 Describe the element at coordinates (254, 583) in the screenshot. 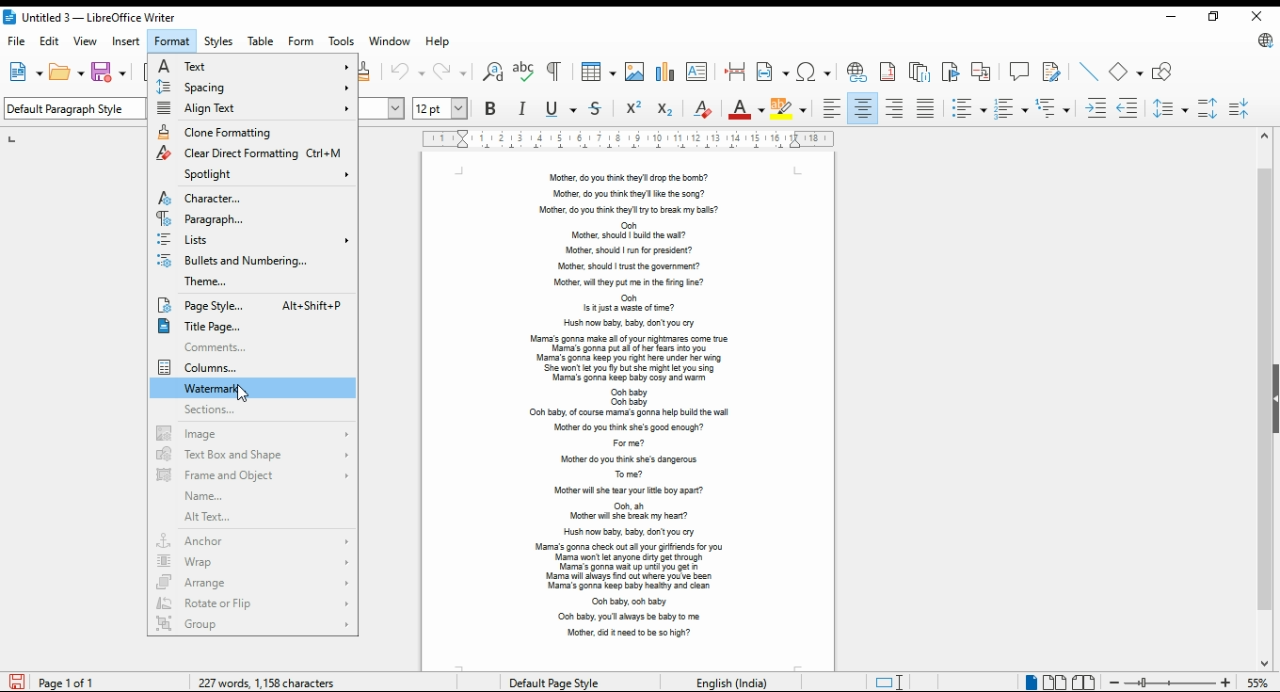

I see `arrange` at that location.